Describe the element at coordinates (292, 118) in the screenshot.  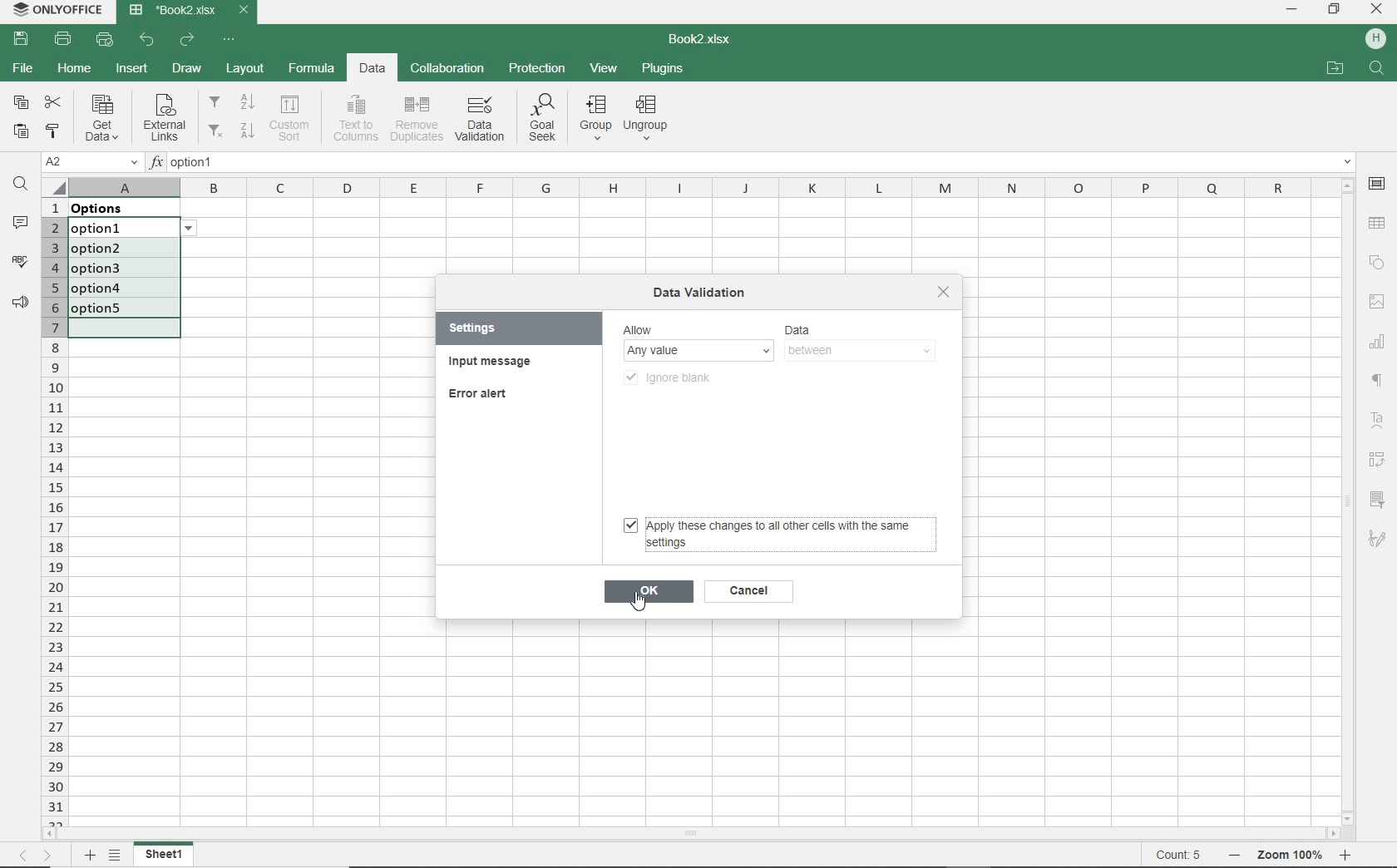
I see `Custom sort` at that location.